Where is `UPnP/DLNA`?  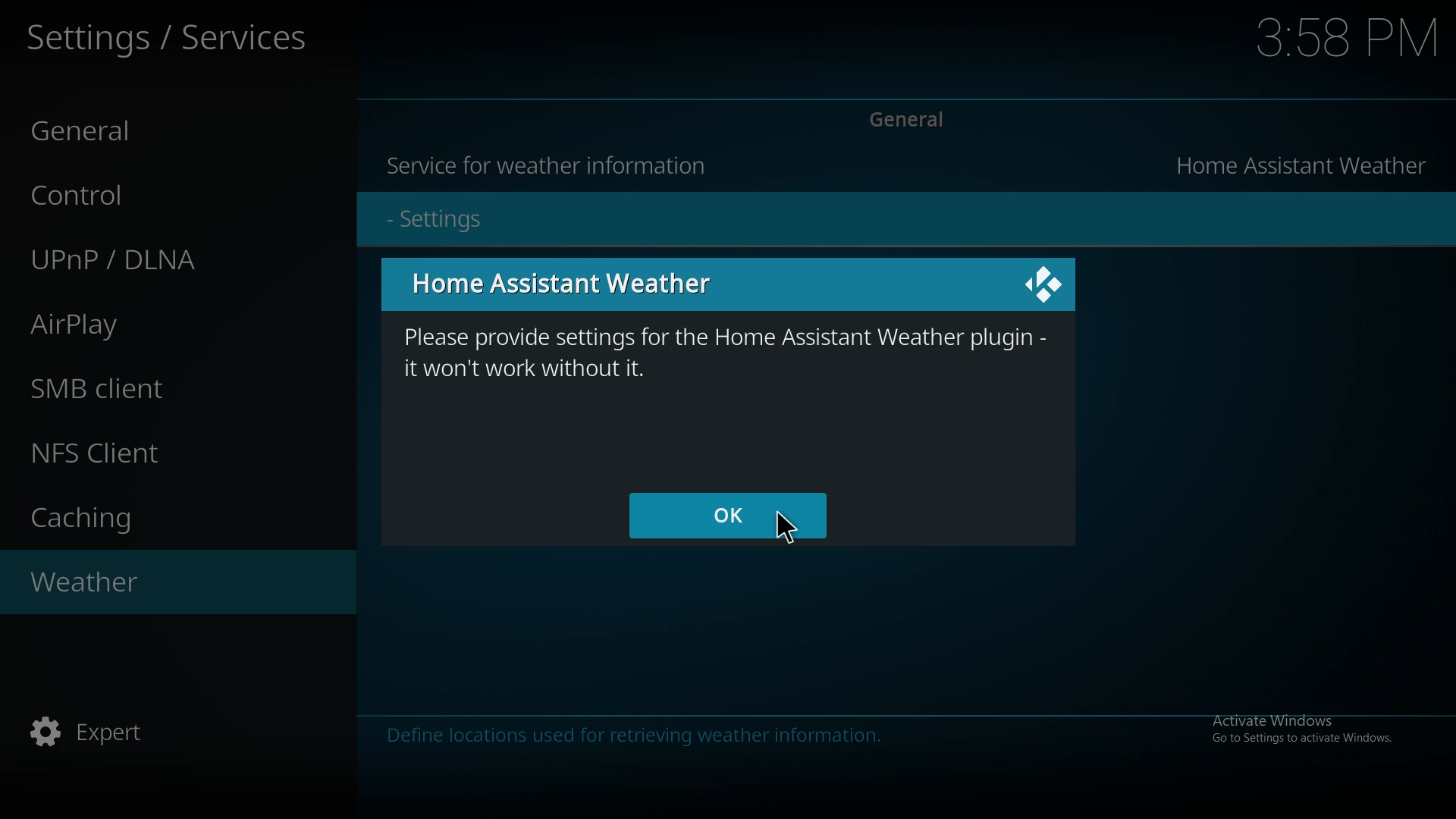
UPnP/DLNA is located at coordinates (146, 264).